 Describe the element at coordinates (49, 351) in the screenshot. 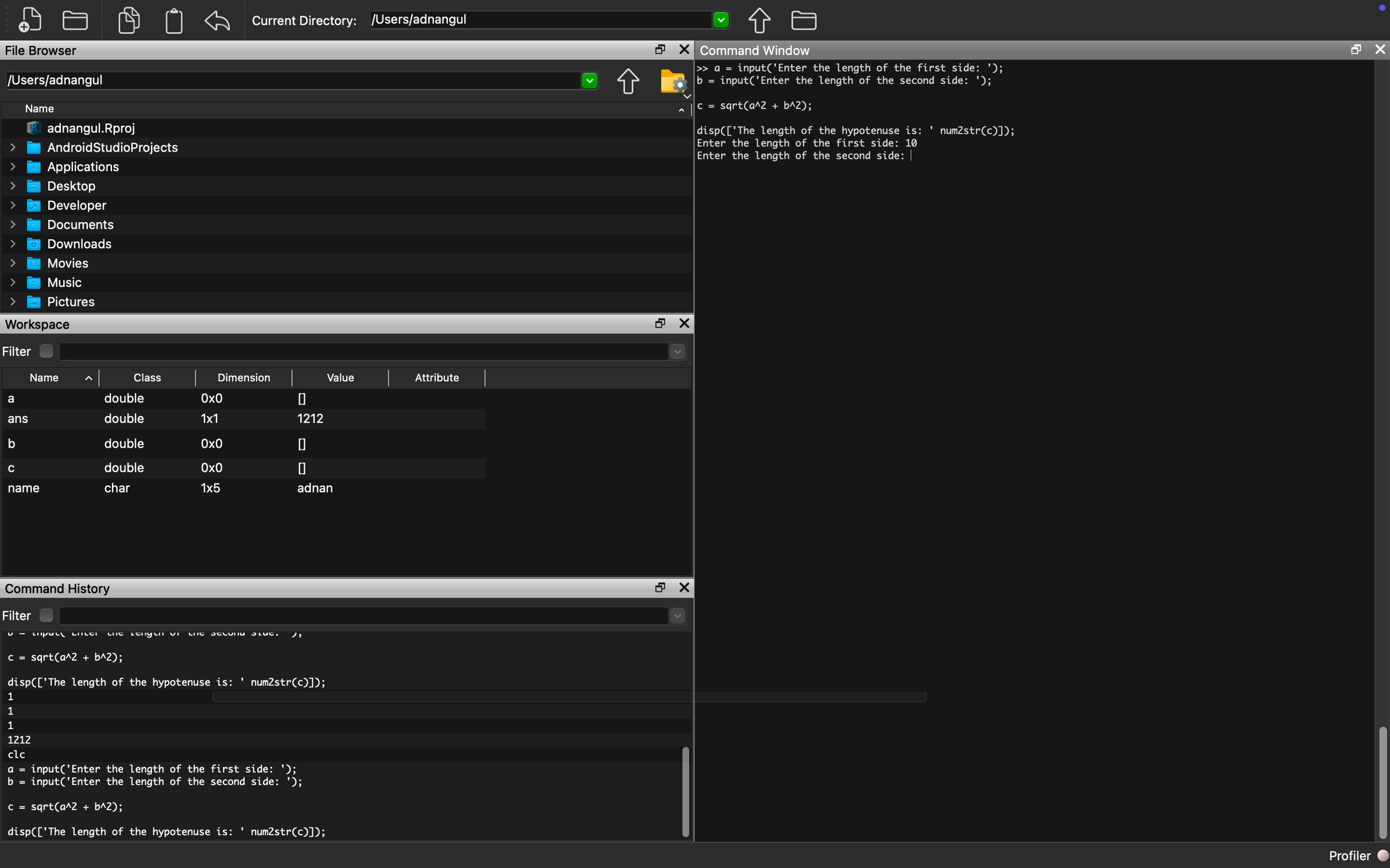

I see `checkbox` at that location.